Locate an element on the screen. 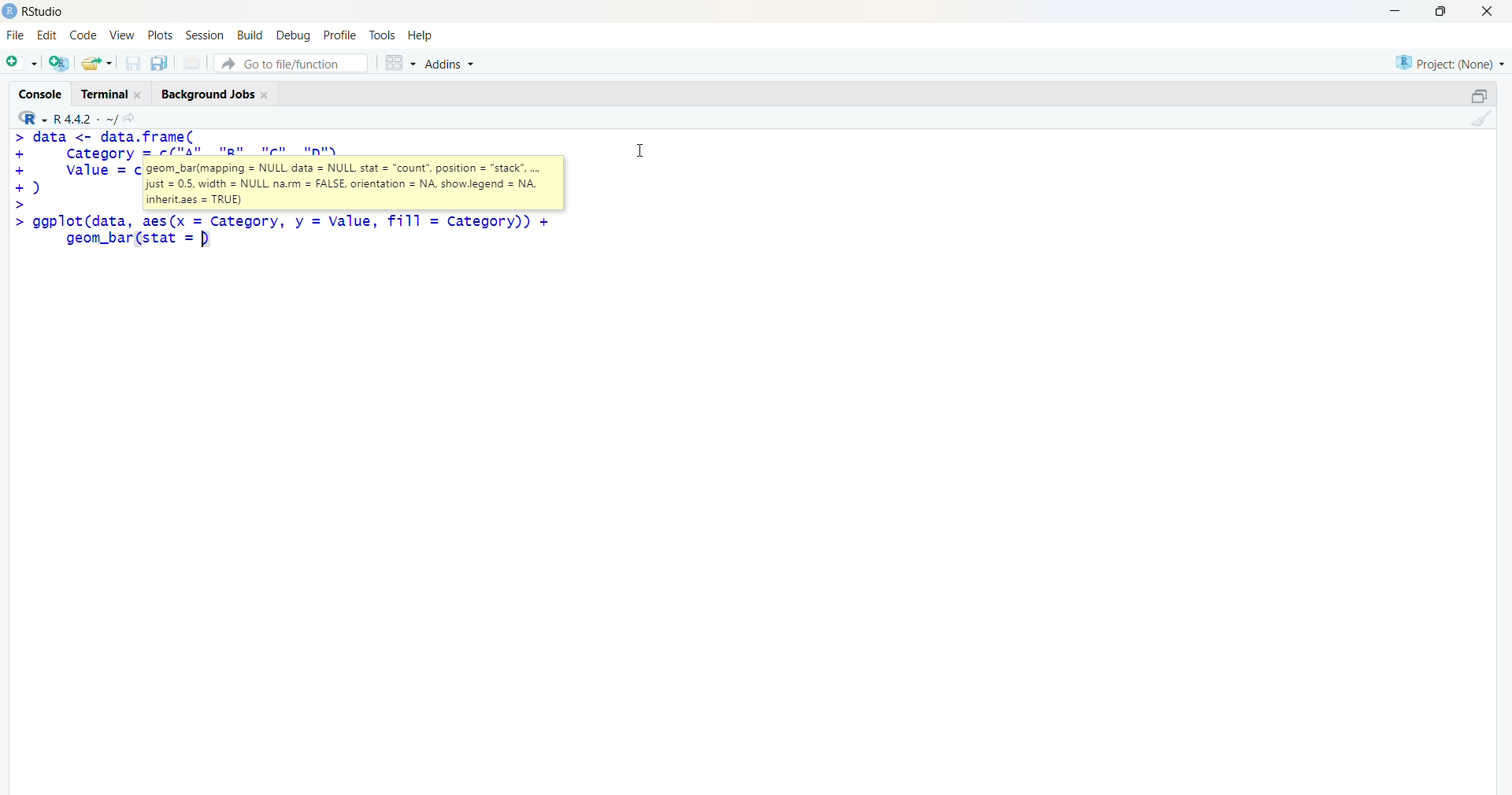  minimize is located at coordinates (1400, 11).